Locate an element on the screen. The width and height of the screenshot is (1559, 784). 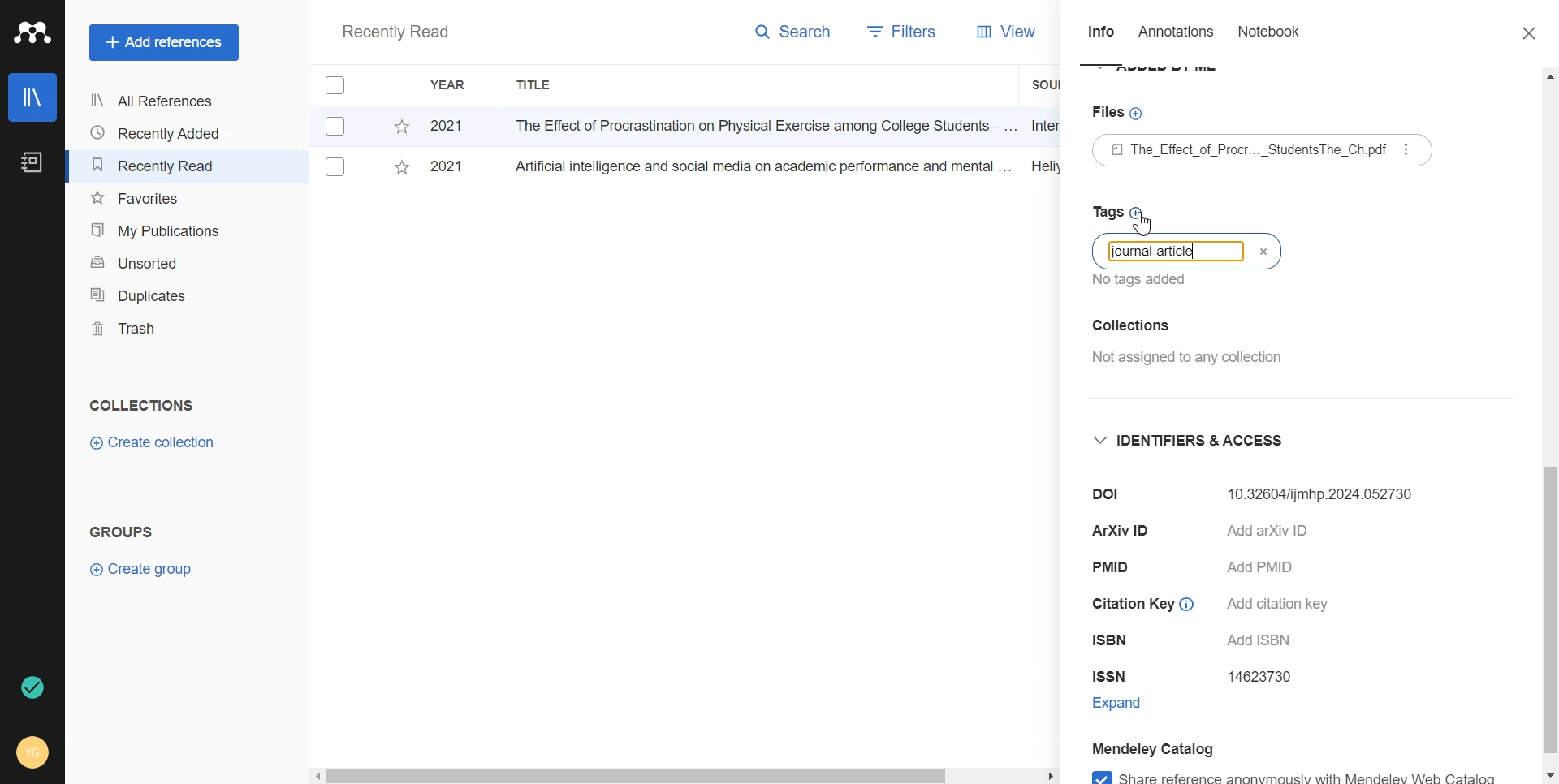
Artificial intelligence and social media on academic performance and mental ... is located at coordinates (760, 166).